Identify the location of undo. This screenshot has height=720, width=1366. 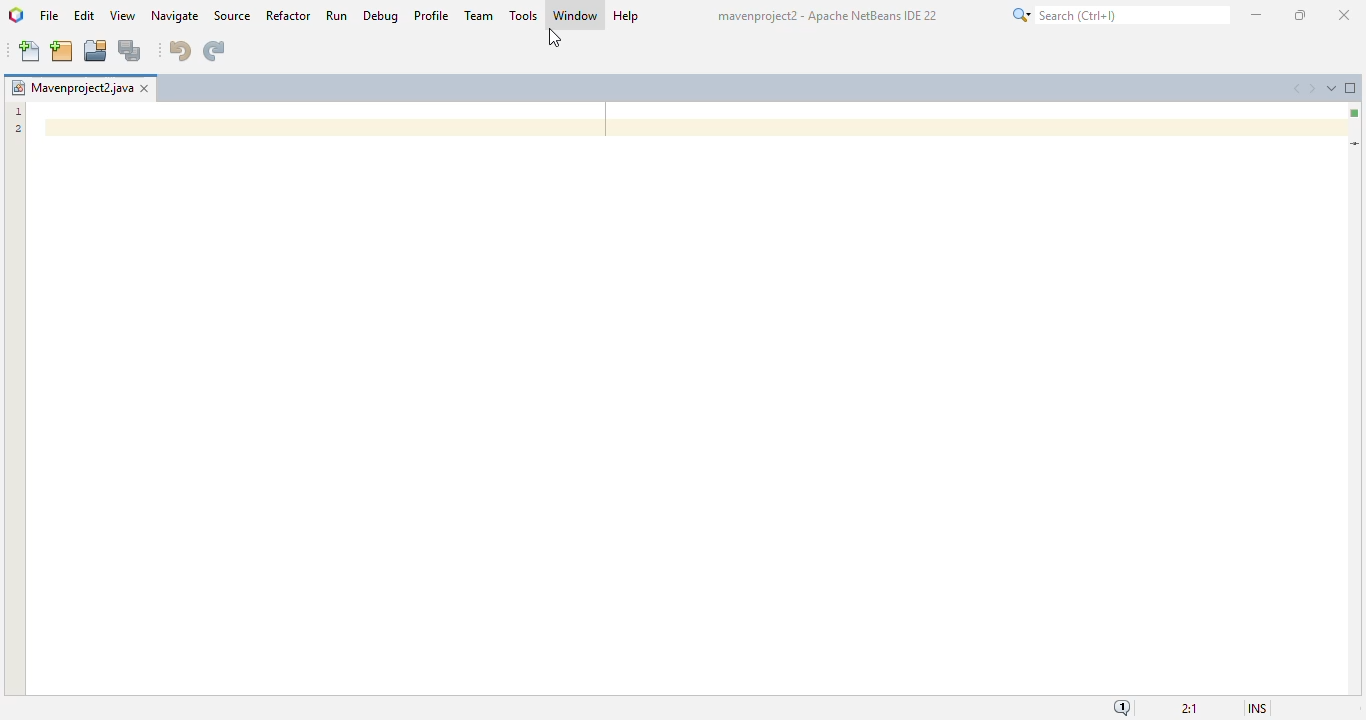
(181, 51).